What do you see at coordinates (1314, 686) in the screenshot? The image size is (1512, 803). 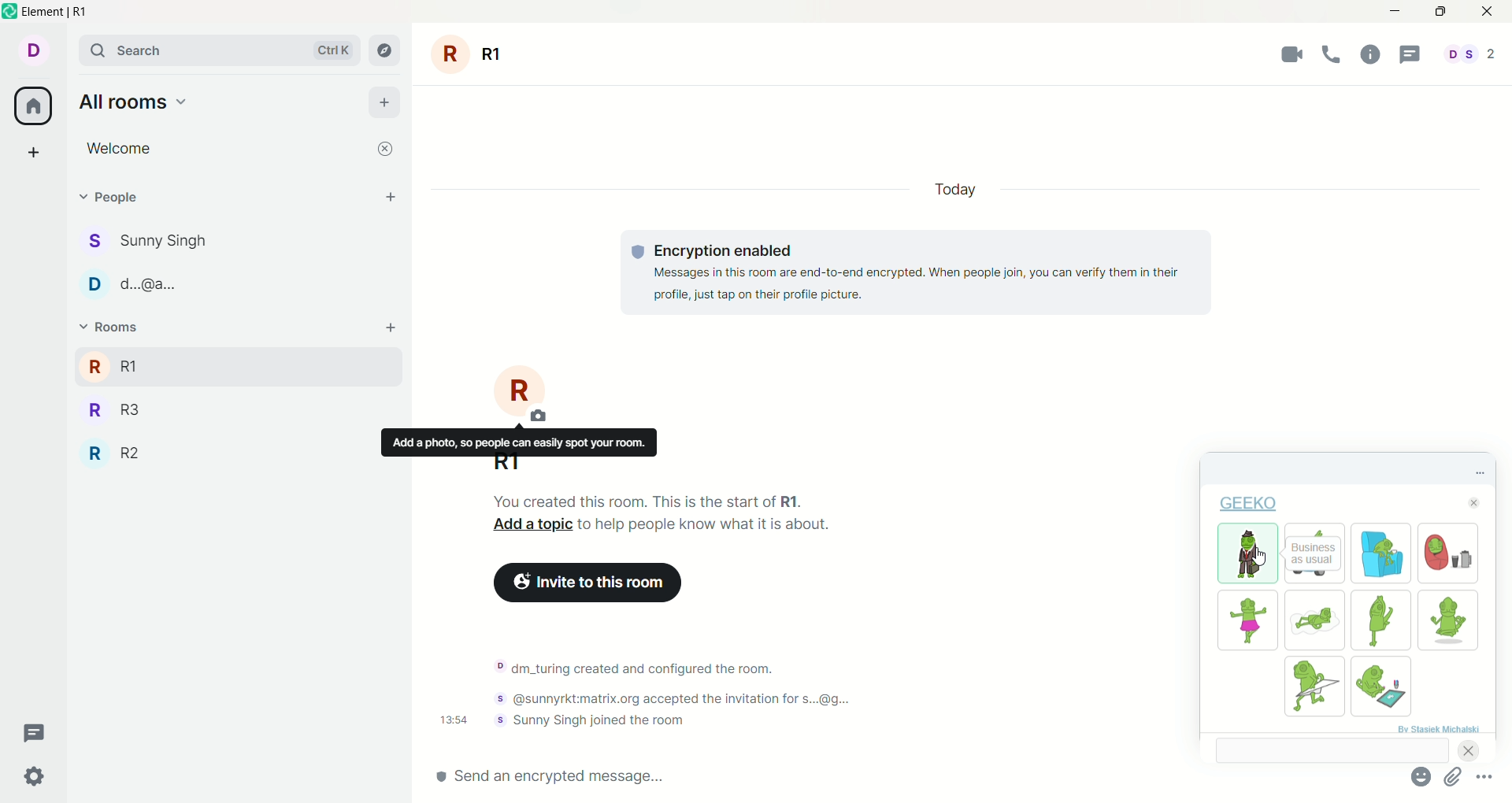 I see `Geeko on my way sticker` at bounding box center [1314, 686].